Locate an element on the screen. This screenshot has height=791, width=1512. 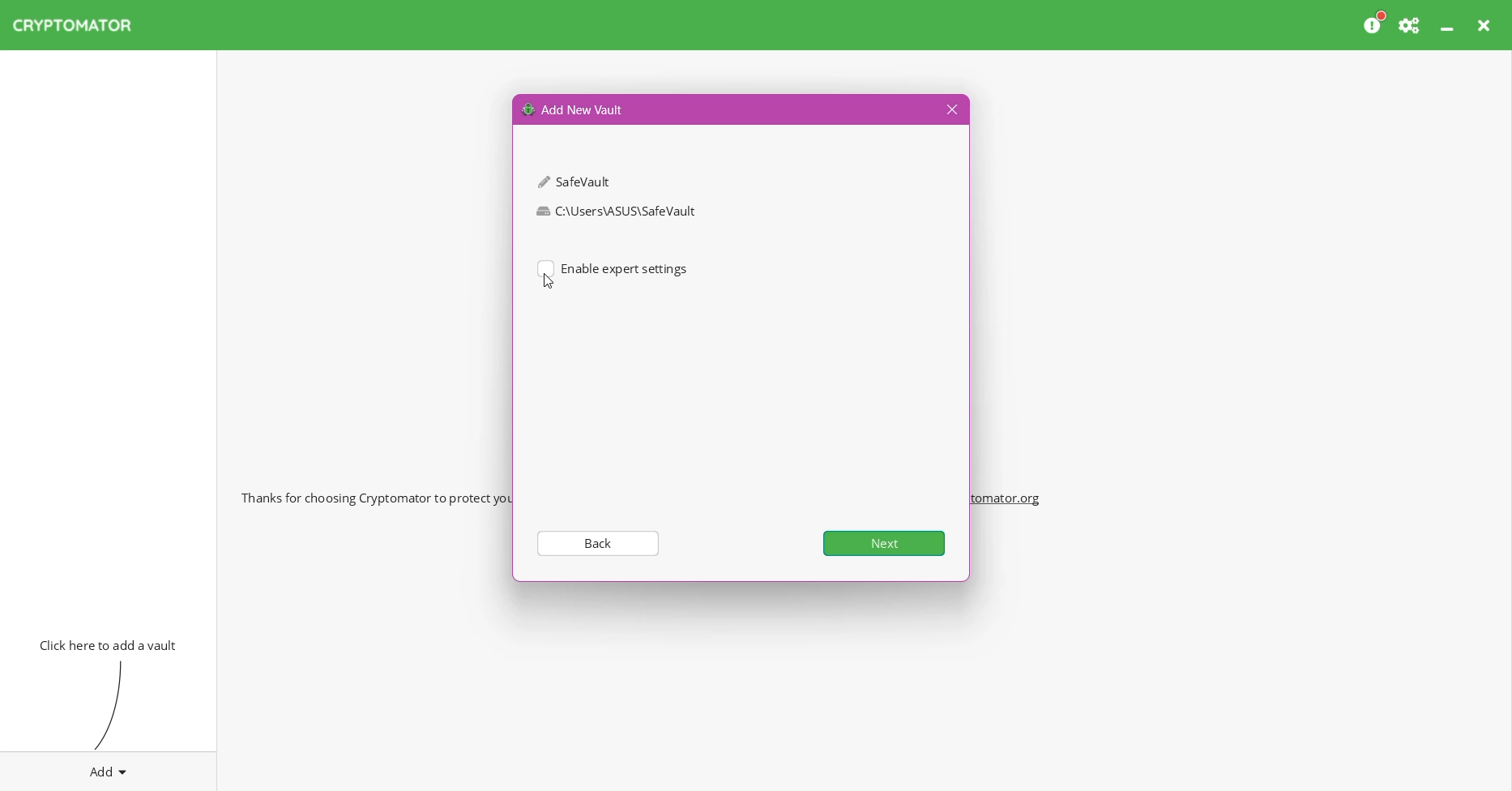
CRYPTOMATOR Application Name is located at coordinates (80, 25).